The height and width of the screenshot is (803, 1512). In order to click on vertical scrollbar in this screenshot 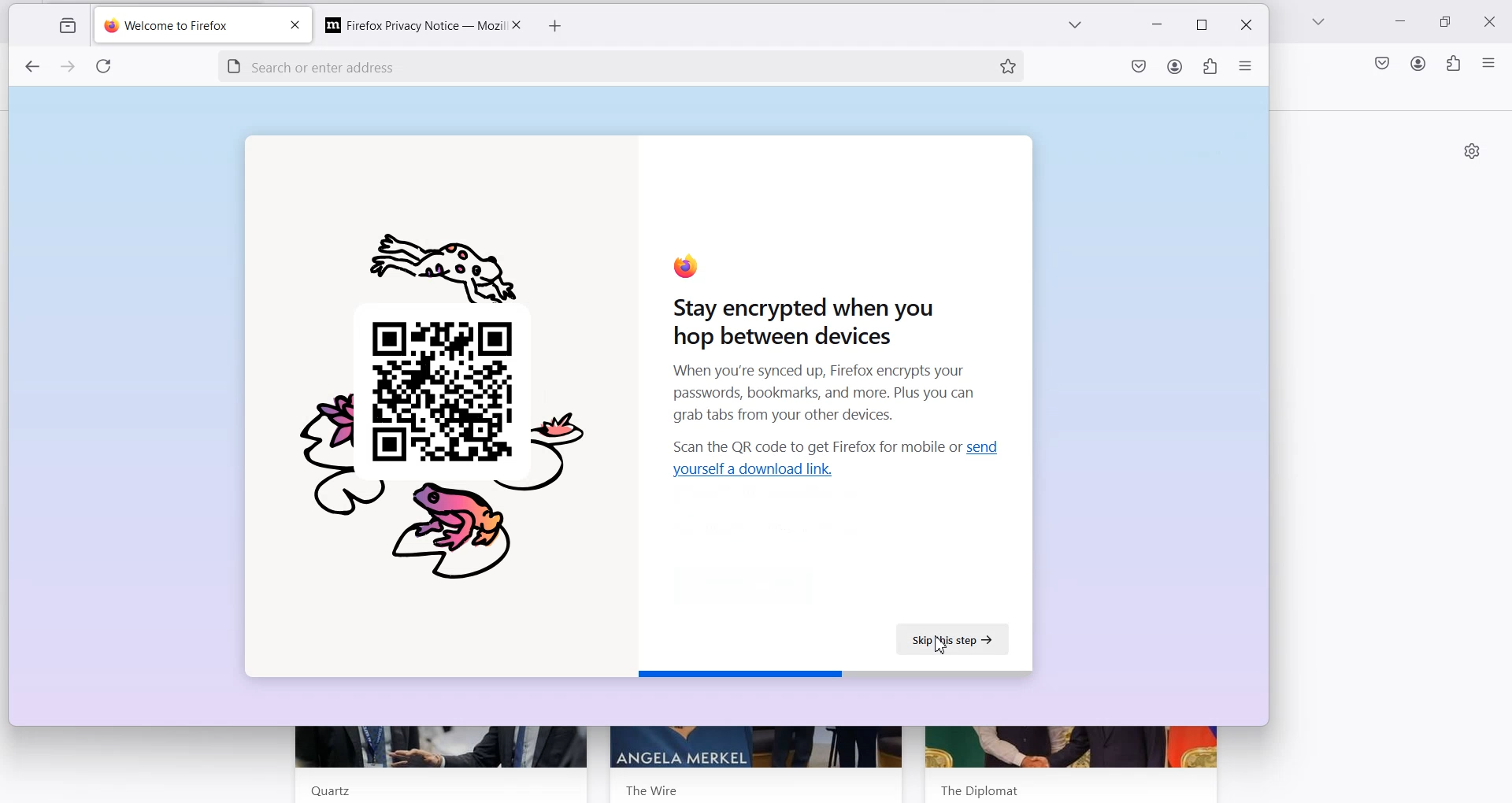, I will do `click(1503, 197)`.